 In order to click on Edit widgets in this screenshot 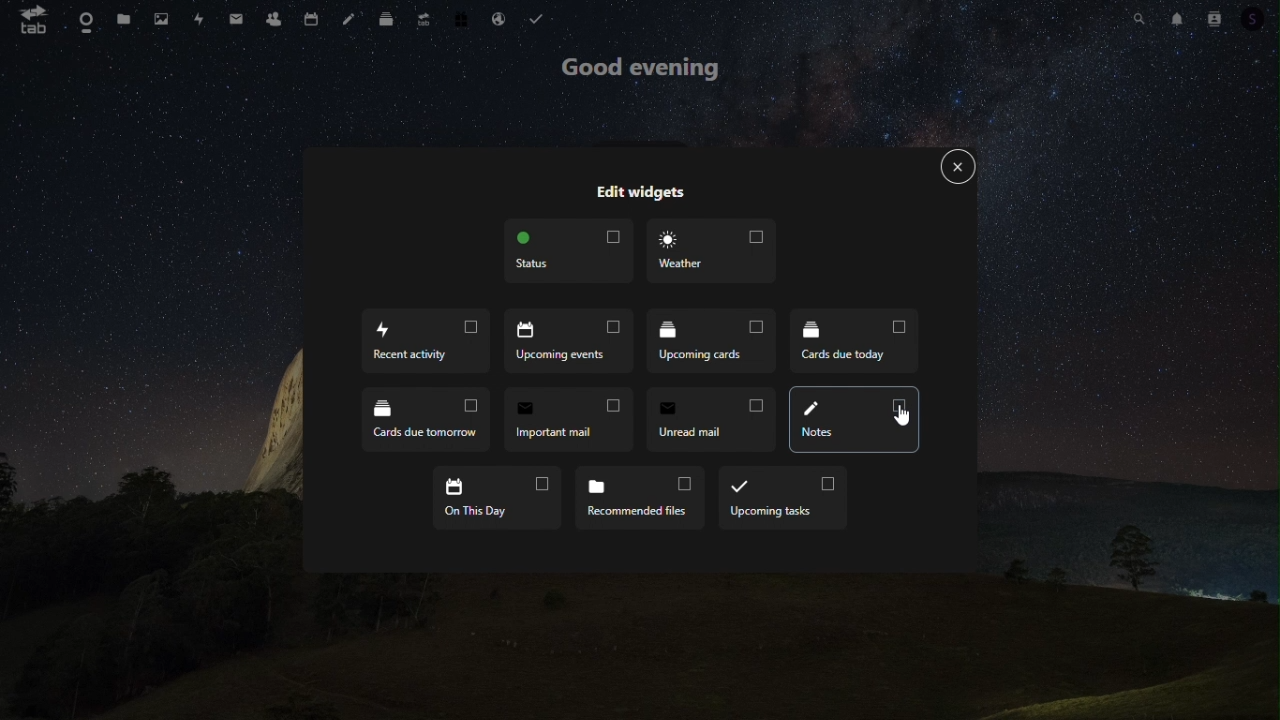, I will do `click(643, 193)`.